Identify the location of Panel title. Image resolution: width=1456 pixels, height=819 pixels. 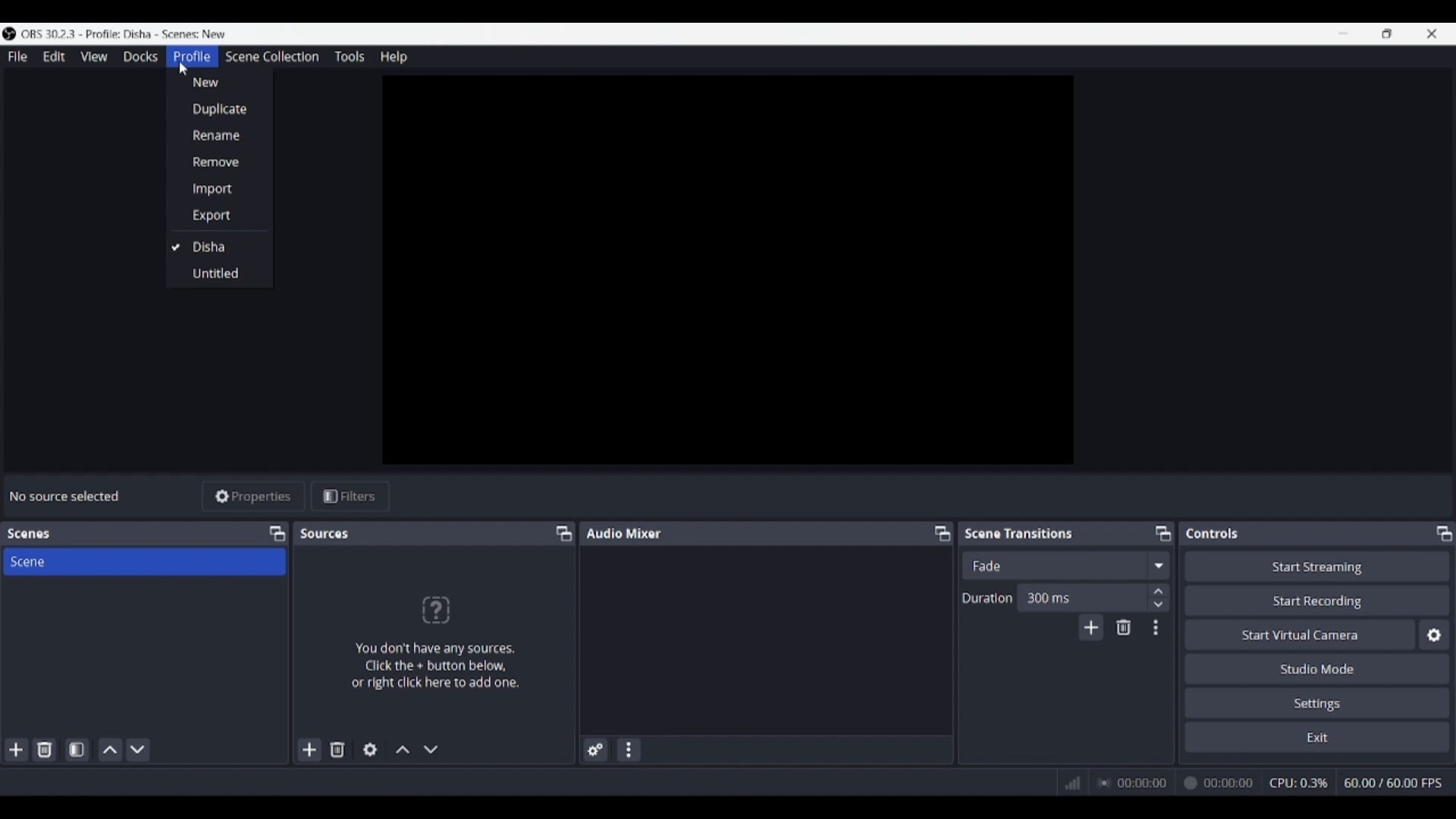
(1213, 533).